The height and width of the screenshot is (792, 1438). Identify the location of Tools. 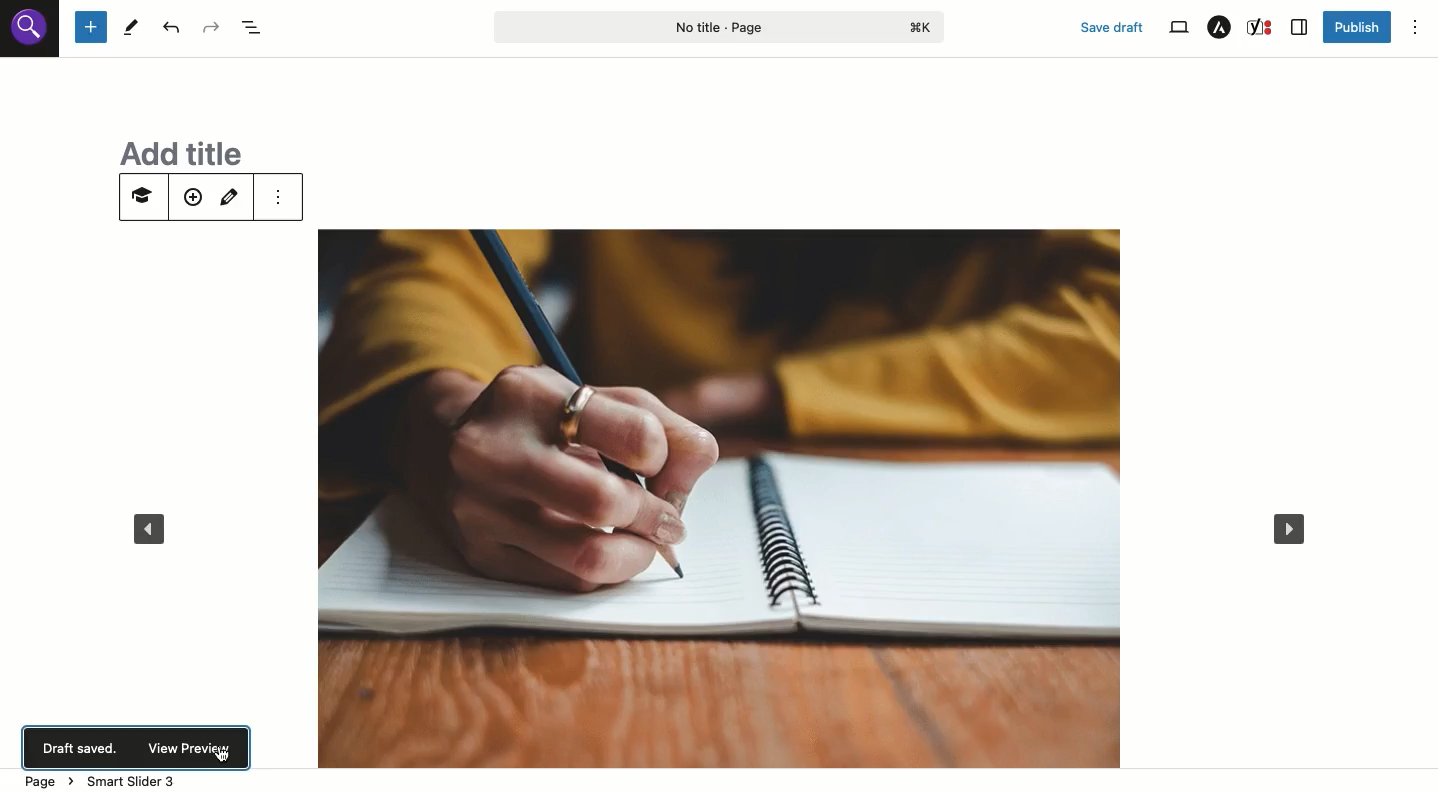
(132, 27).